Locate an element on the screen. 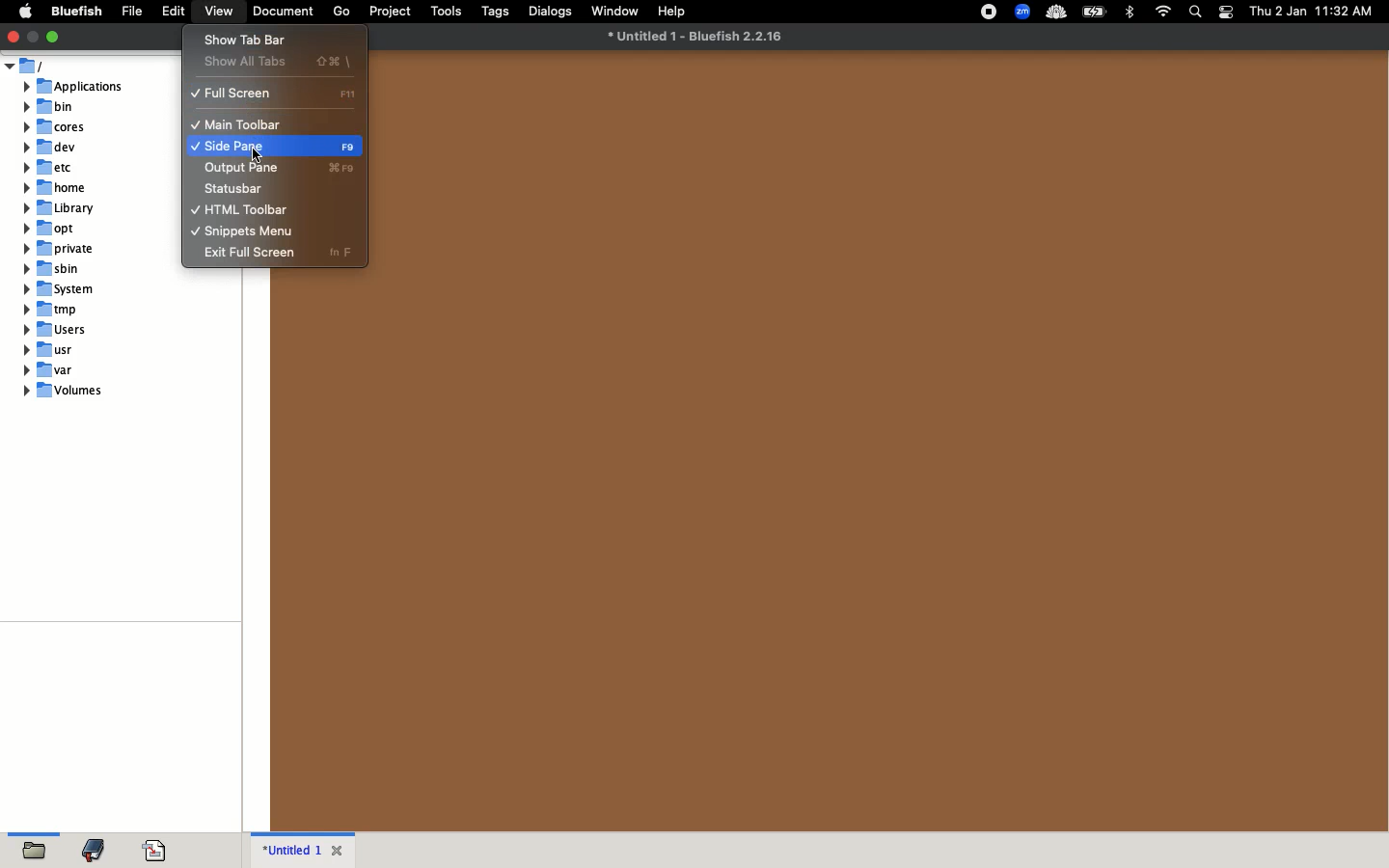 The image size is (1389, 868). Window button is located at coordinates (38, 39).